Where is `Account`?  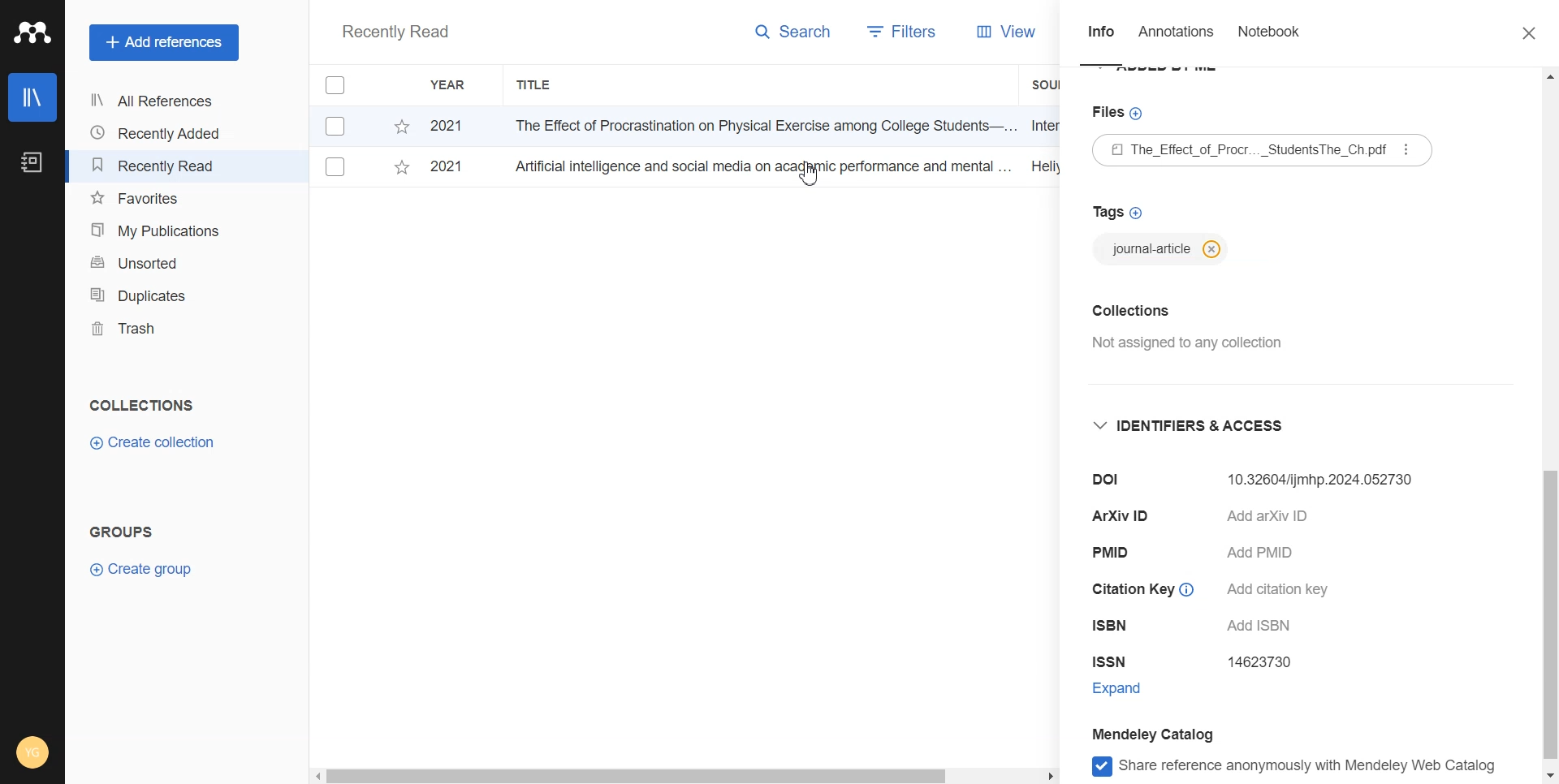
Account is located at coordinates (34, 751).